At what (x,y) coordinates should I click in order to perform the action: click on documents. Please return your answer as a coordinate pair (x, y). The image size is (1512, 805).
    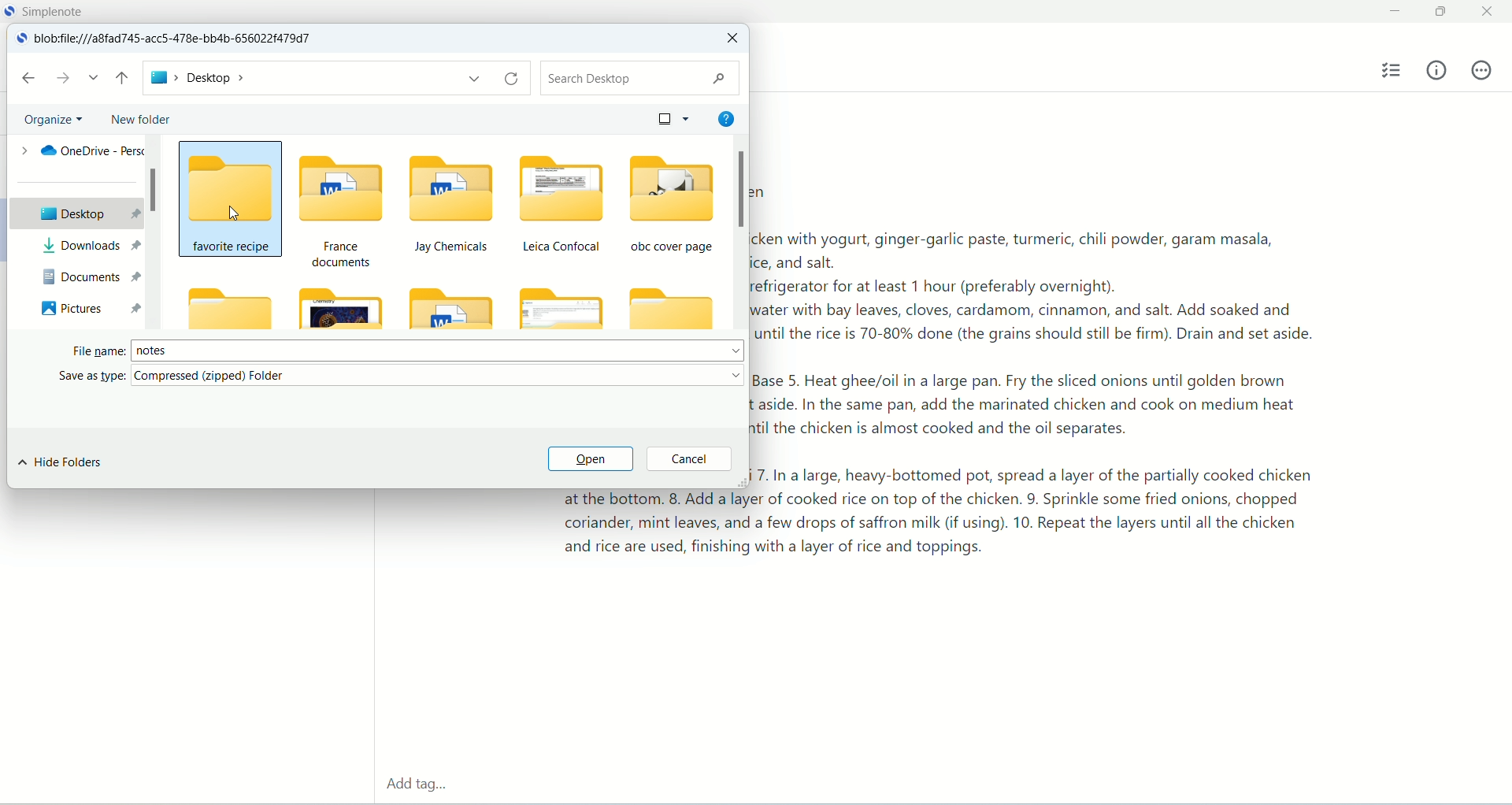
    Looking at the image, I should click on (89, 273).